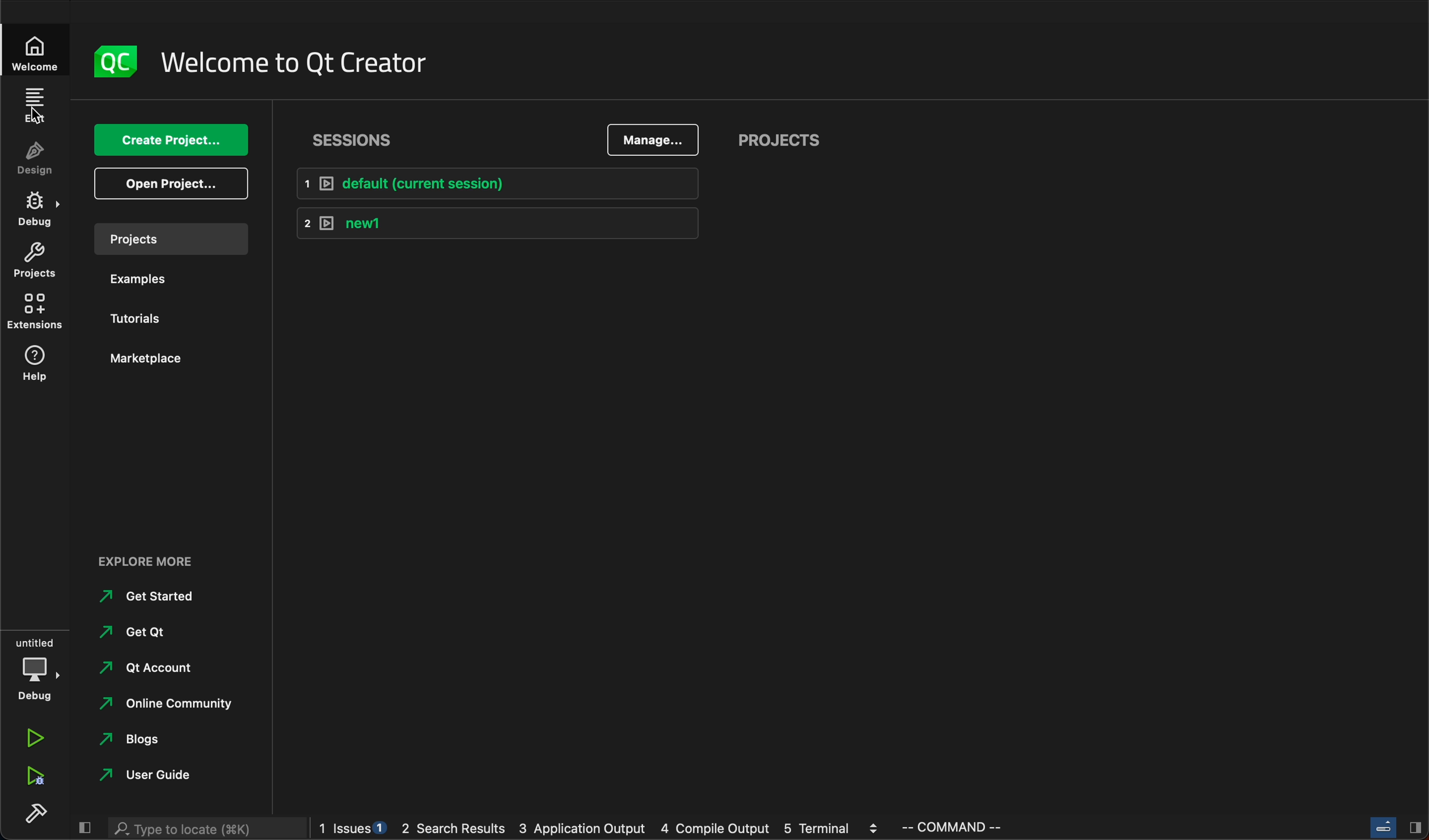 This screenshot has height=840, width=1429. Describe the element at coordinates (961, 828) in the screenshot. I see `command` at that location.